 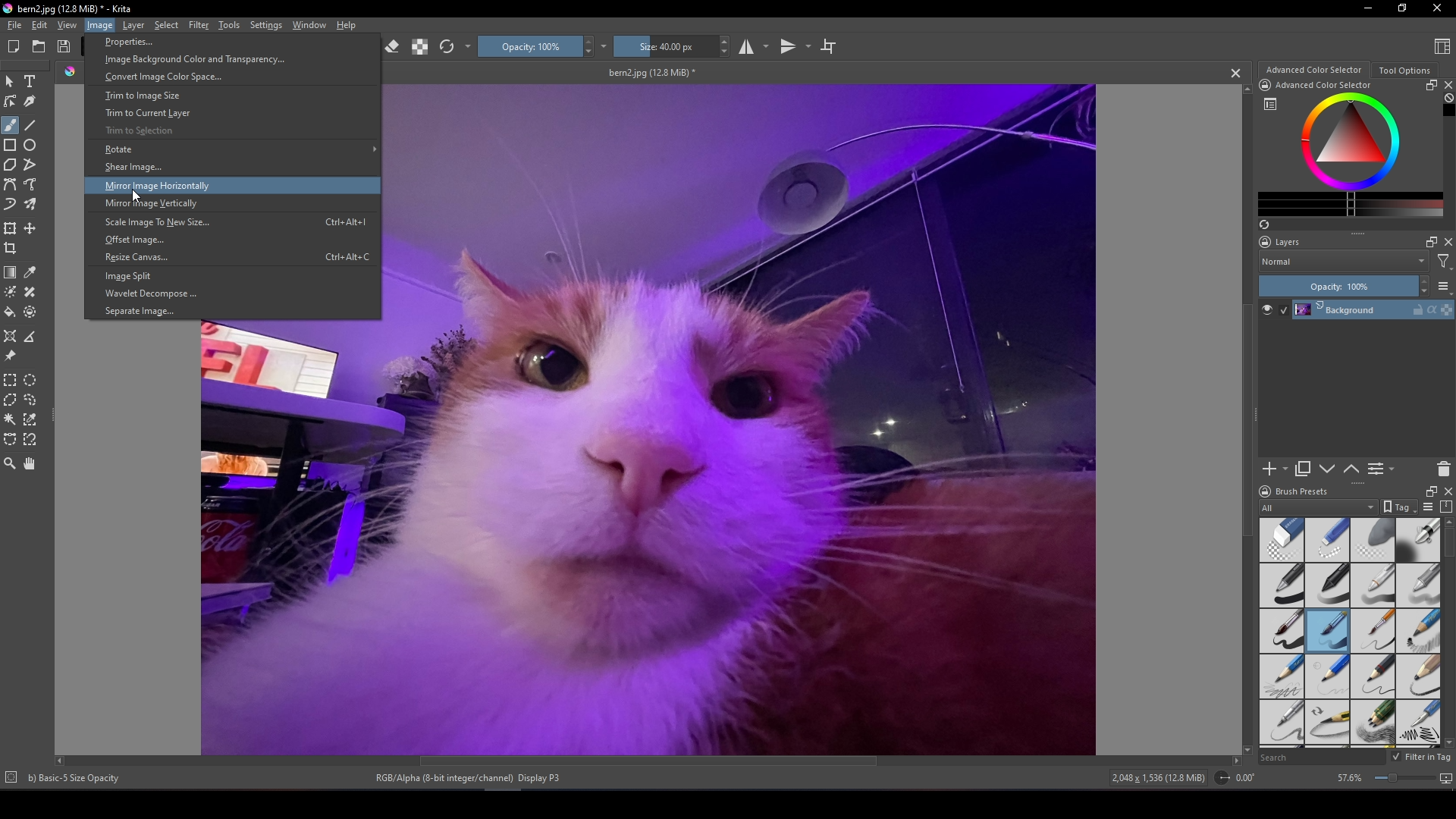 I want to click on Draw a gradient, so click(x=11, y=272).